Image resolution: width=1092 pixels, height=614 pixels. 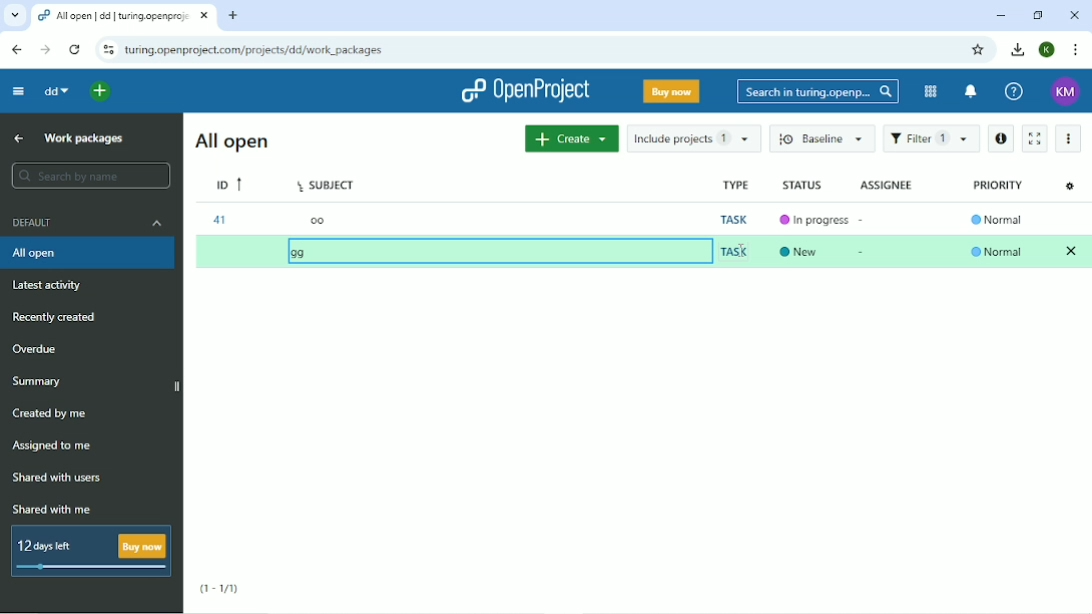 What do you see at coordinates (692, 139) in the screenshot?
I see `Include projects 1` at bounding box center [692, 139].